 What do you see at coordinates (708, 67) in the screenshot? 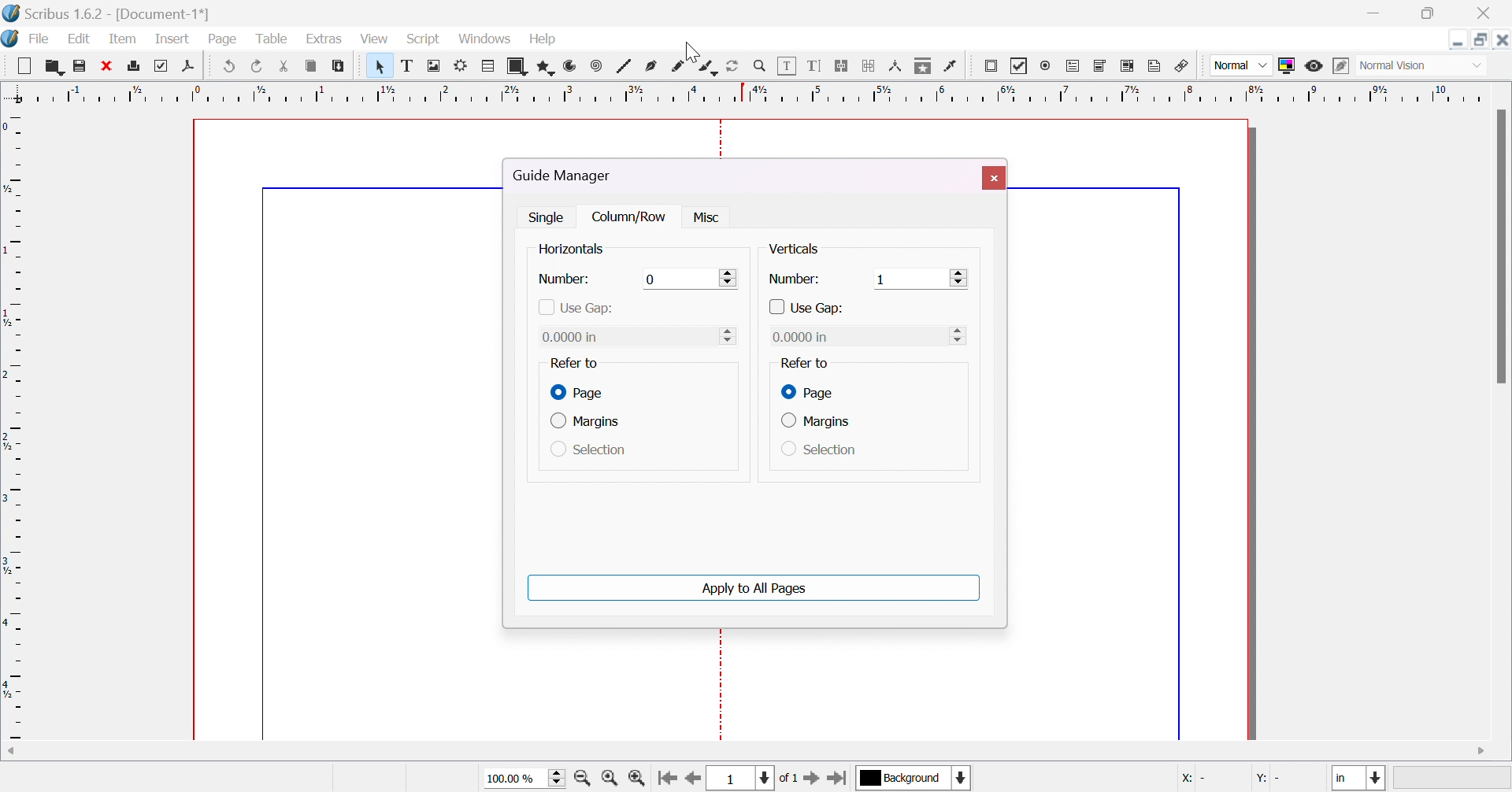
I see `calligraphic line` at bounding box center [708, 67].